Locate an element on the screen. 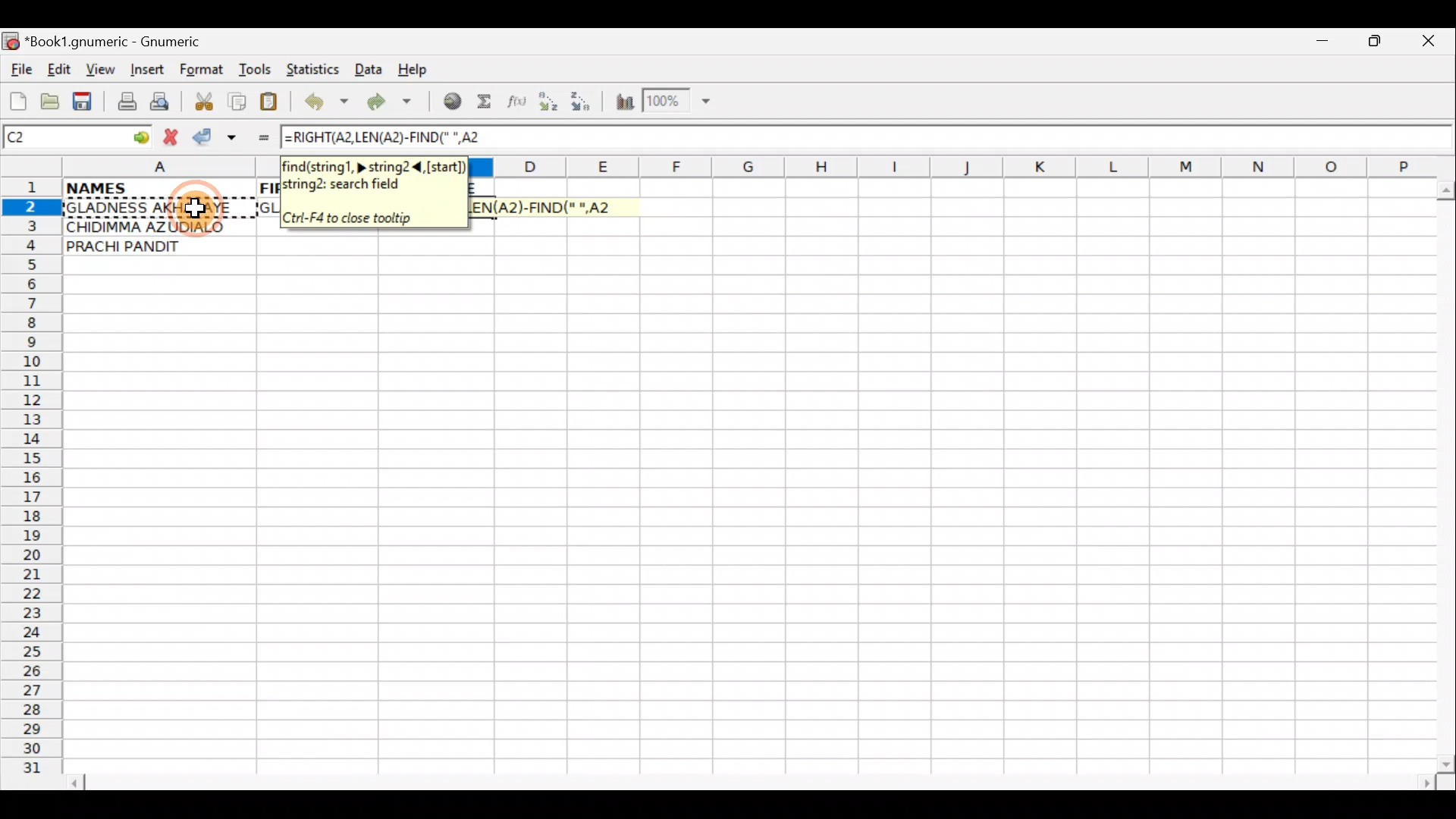  Sum in the current cell is located at coordinates (489, 102).